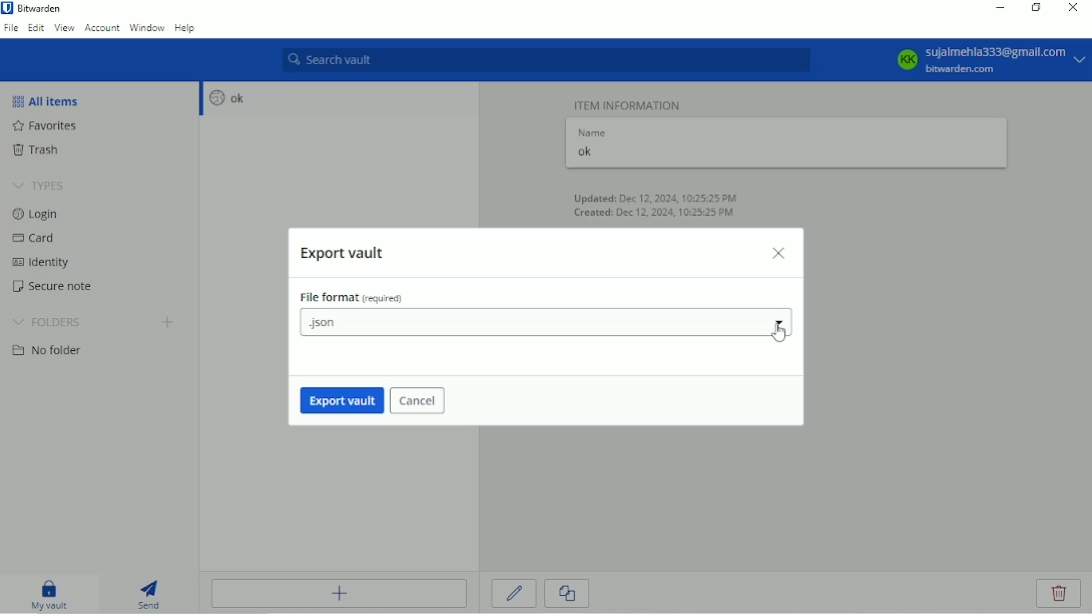  I want to click on Trash, so click(47, 151).